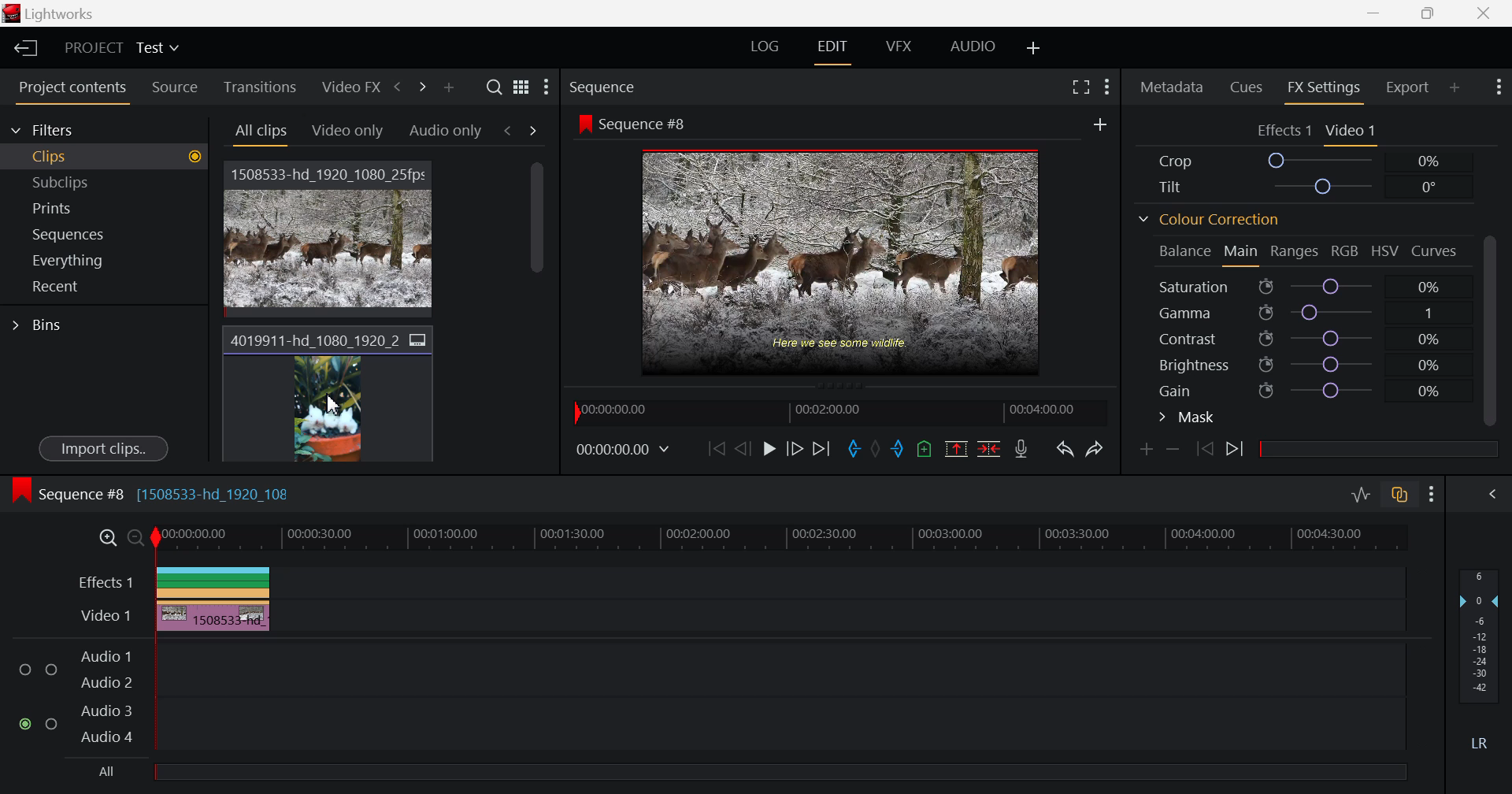 The width and height of the screenshot is (1512, 794). What do you see at coordinates (1307, 313) in the screenshot?
I see `Gamma` at bounding box center [1307, 313].